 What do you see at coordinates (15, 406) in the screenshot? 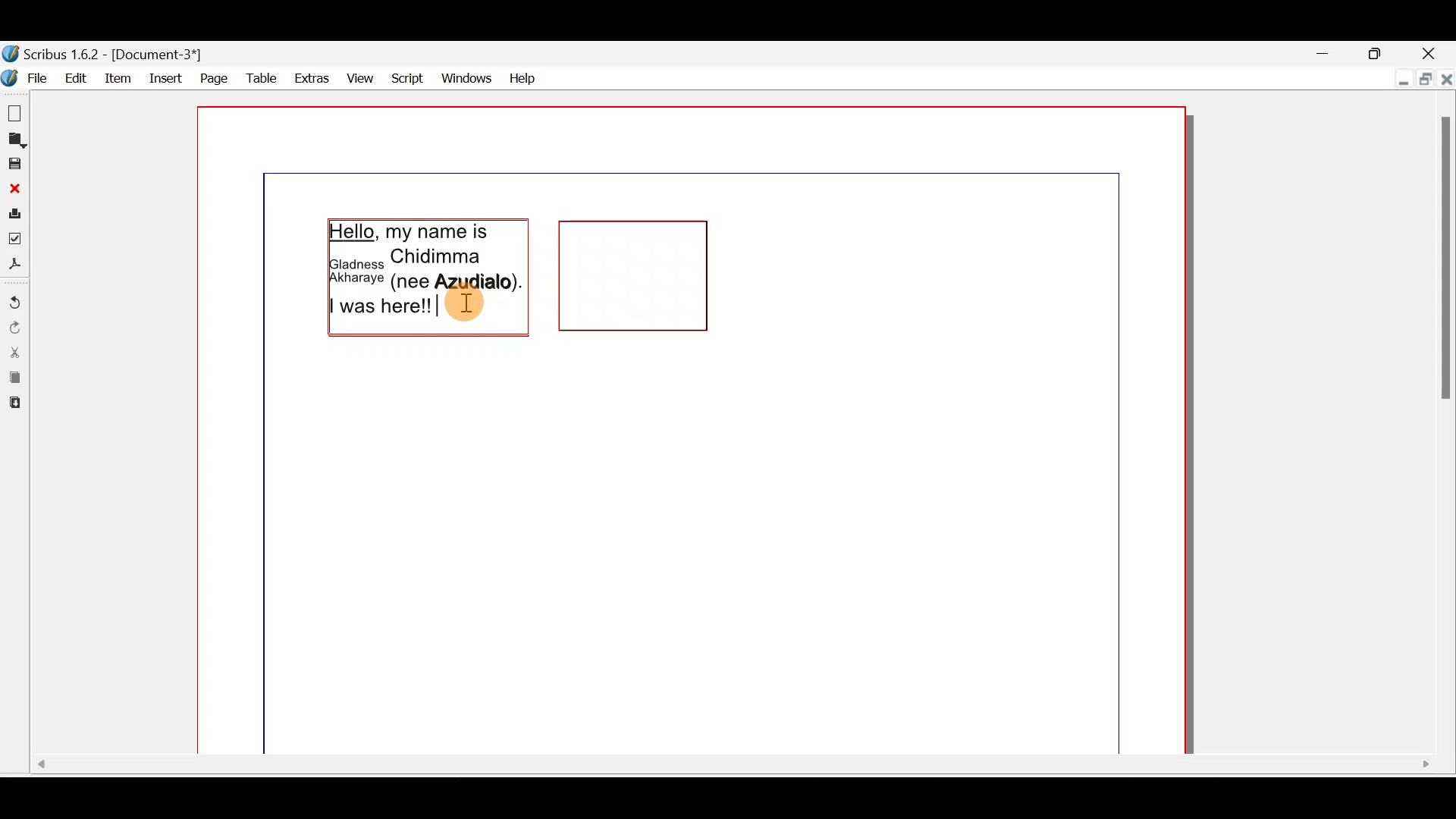
I see `Paste` at bounding box center [15, 406].